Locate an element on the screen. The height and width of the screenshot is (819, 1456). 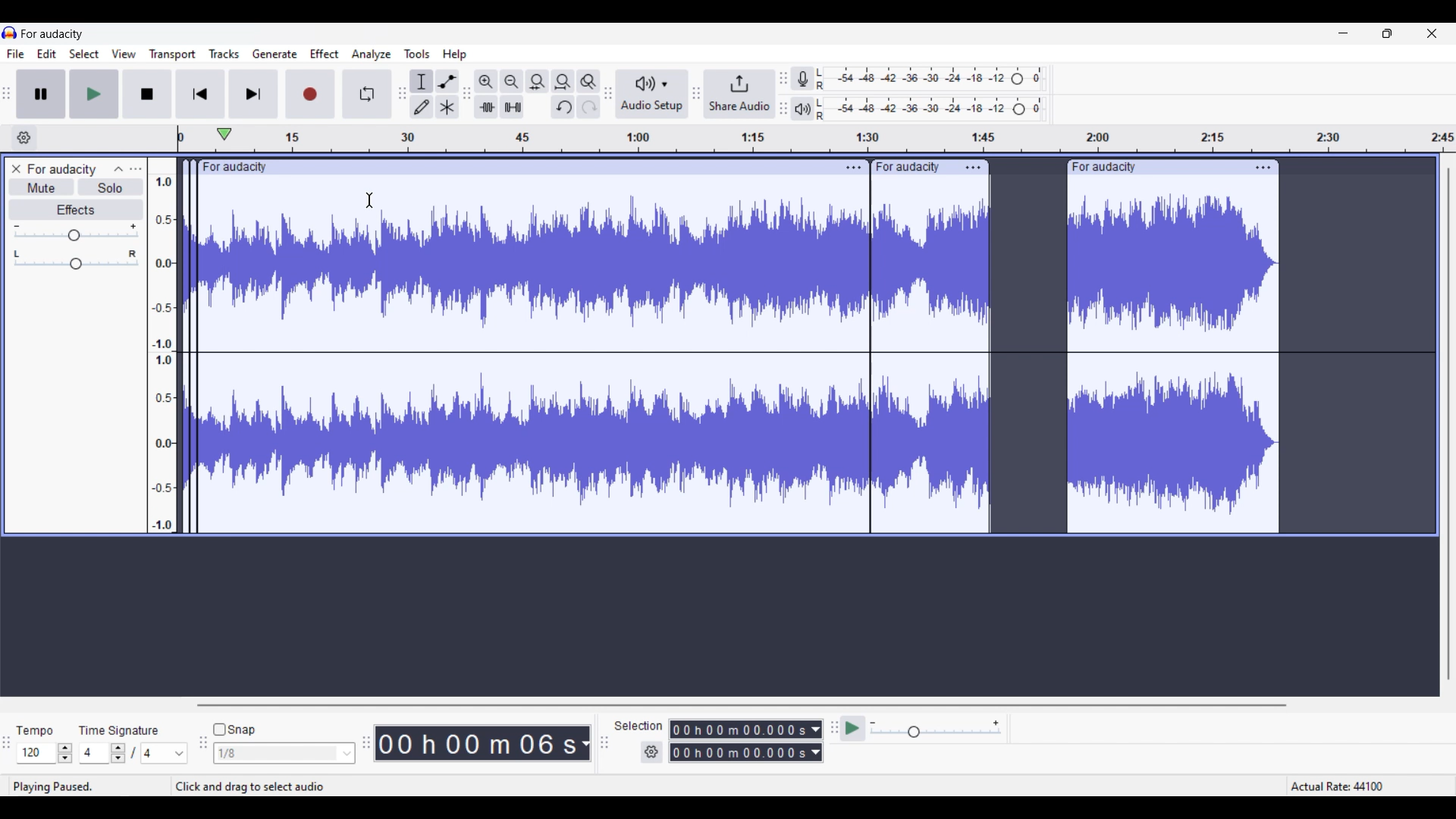
Edit menu is located at coordinates (47, 54).